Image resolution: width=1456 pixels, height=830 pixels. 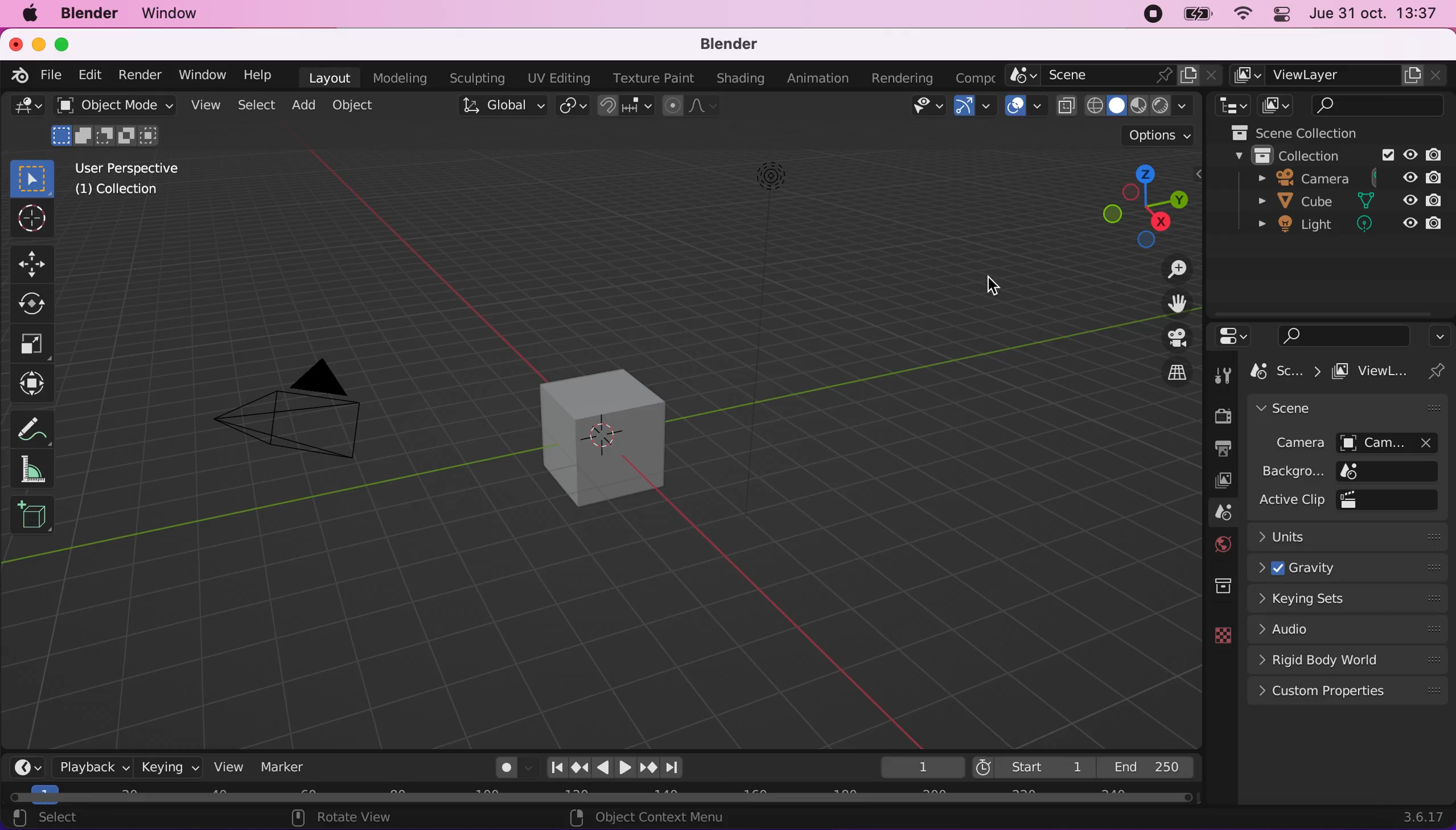 What do you see at coordinates (766, 258) in the screenshot?
I see `light` at bounding box center [766, 258].